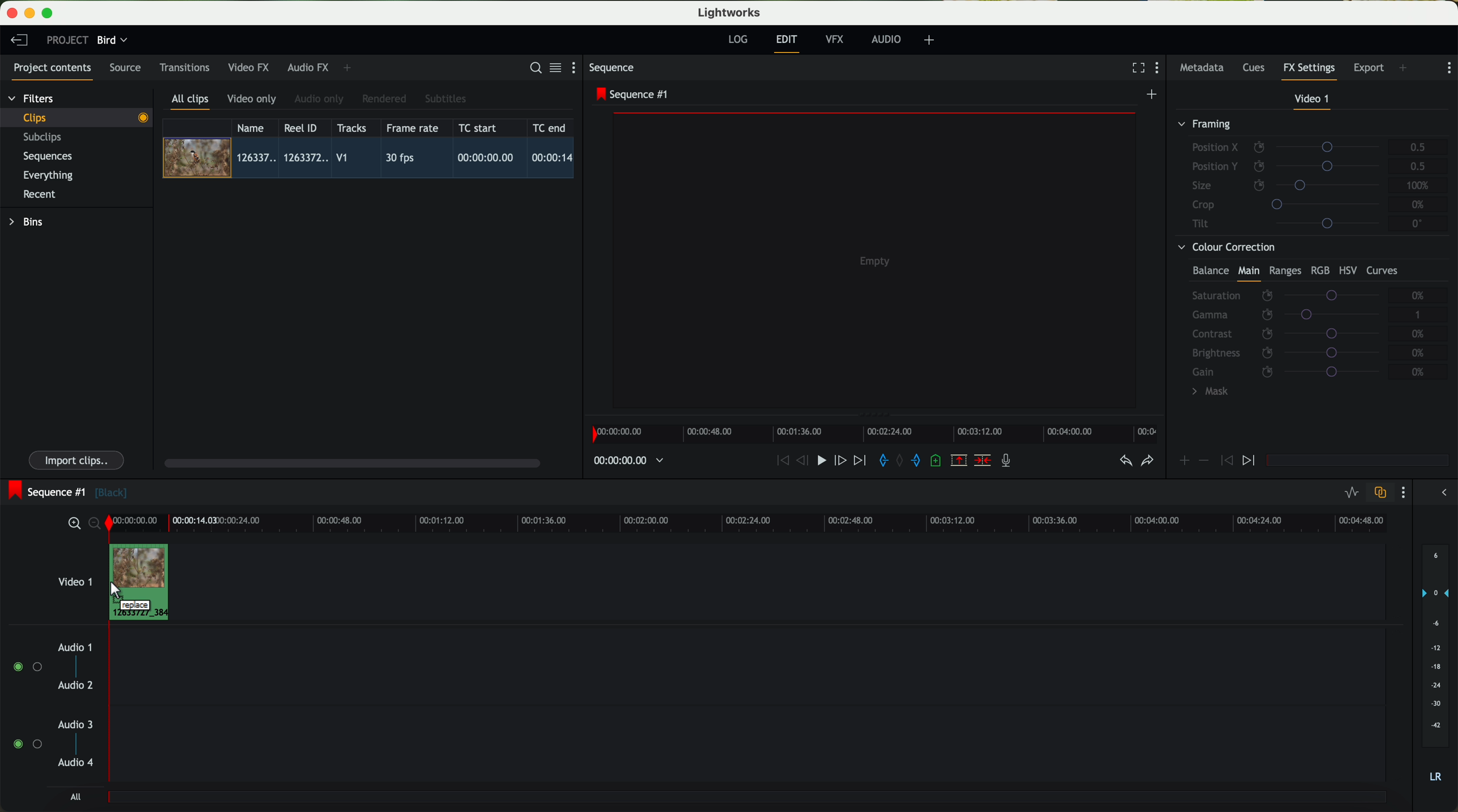 The height and width of the screenshot is (812, 1458). What do you see at coordinates (623, 461) in the screenshot?
I see `timeline` at bounding box center [623, 461].